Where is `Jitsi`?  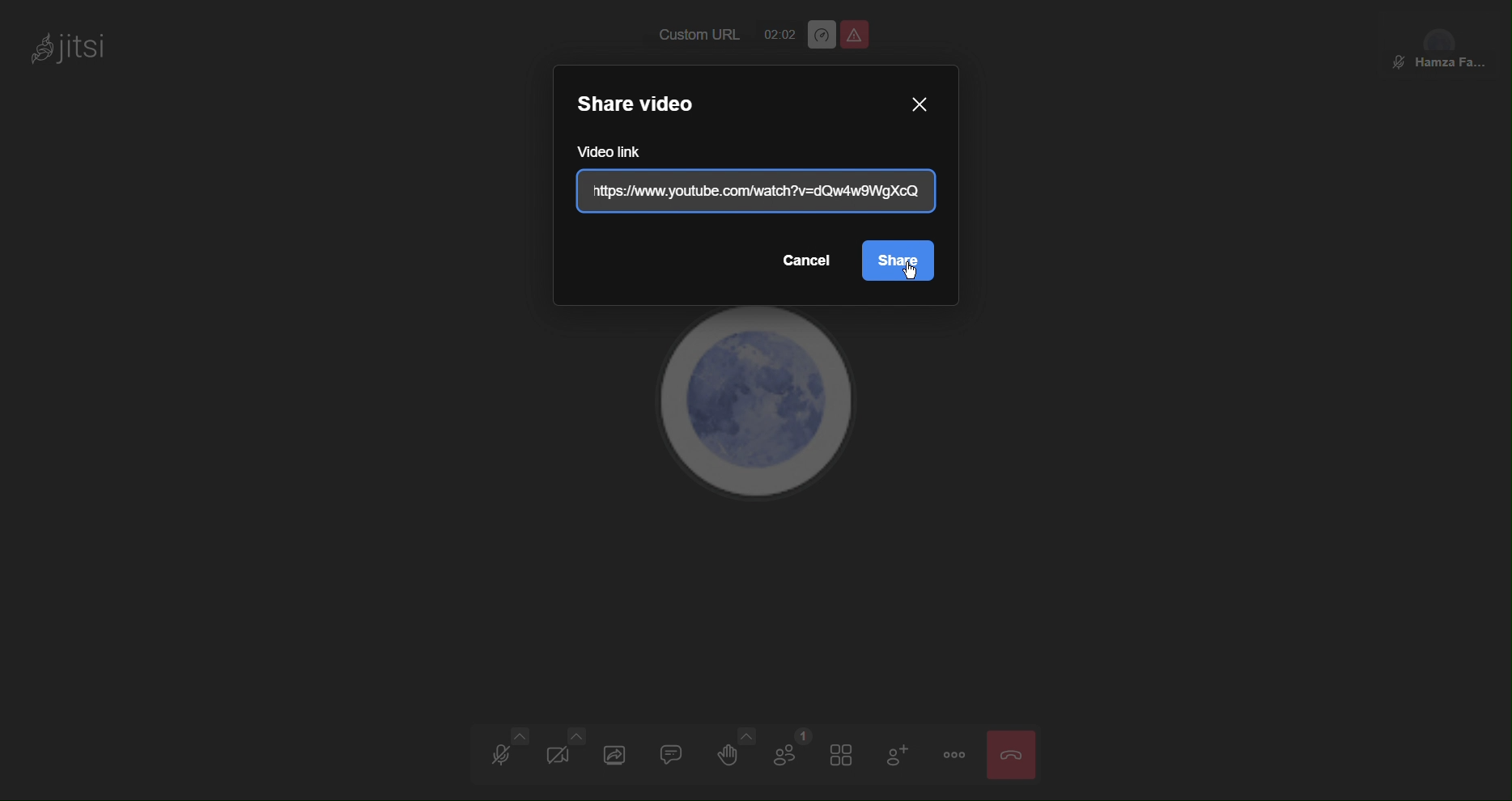
Jitsi is located at coordinates (76, 48).